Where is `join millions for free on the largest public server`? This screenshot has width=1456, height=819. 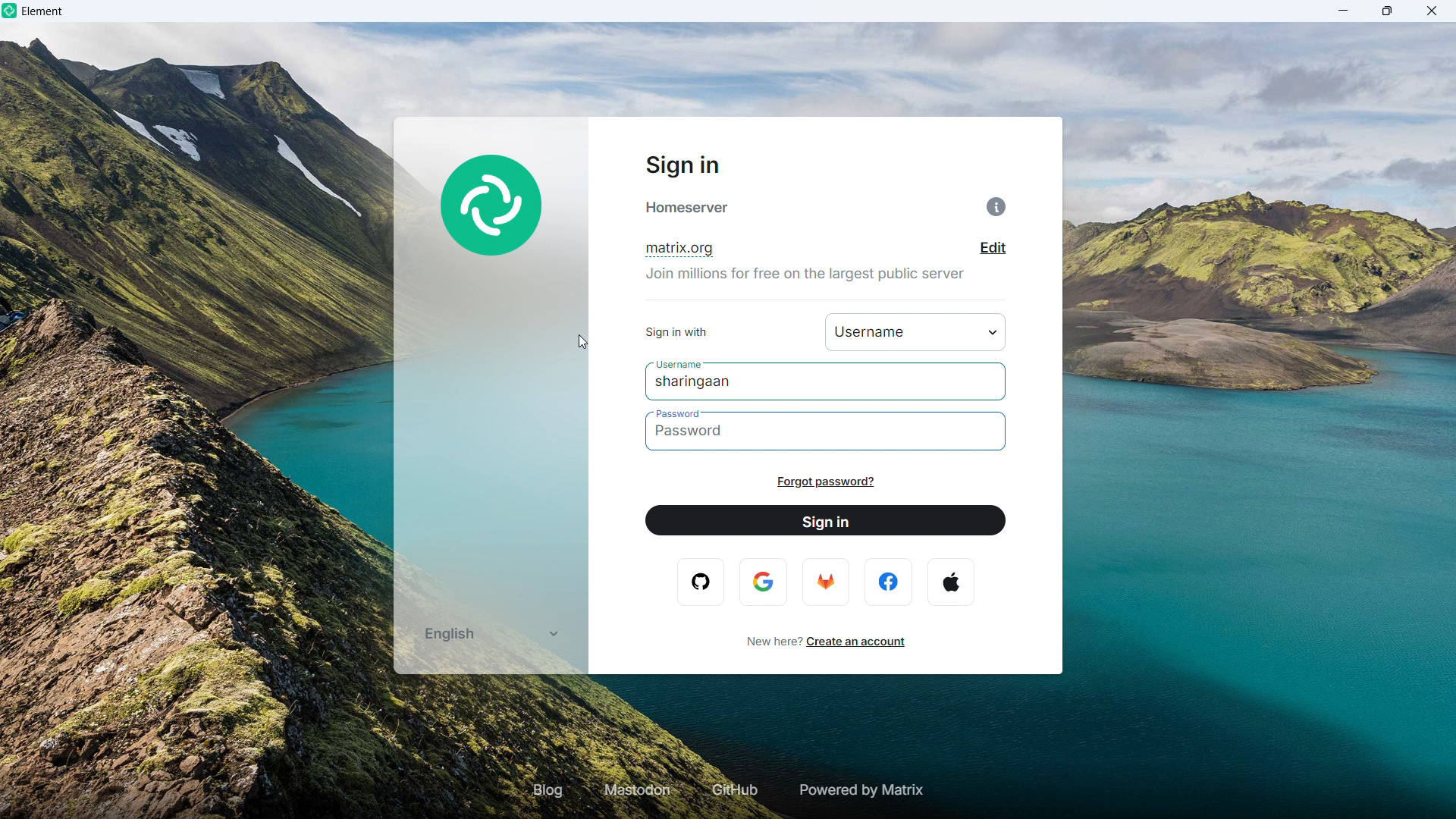
join millions for free on the largest public server is located at coordinates (808, 280).